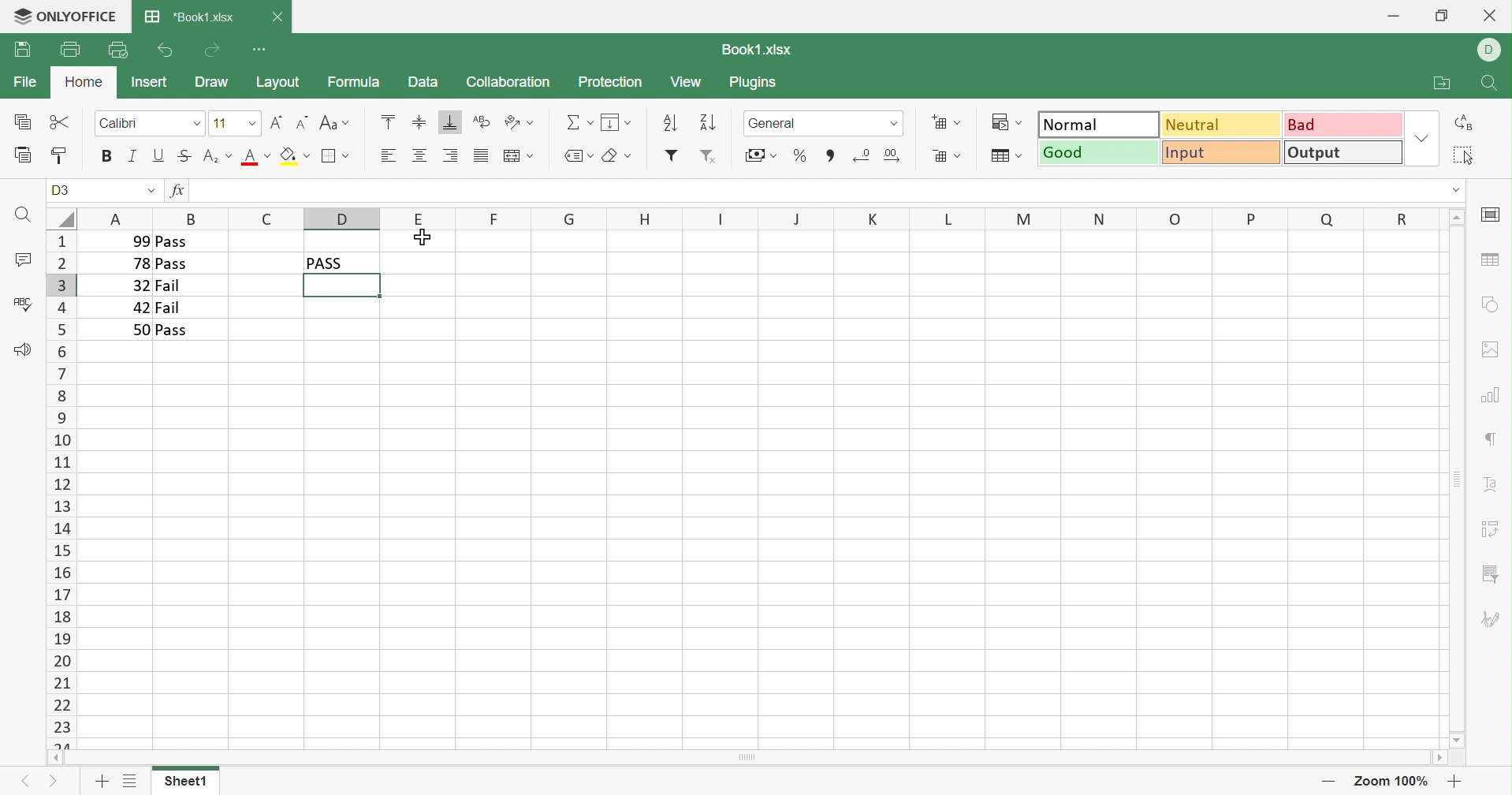 Image resolution: width=1512 pixels, height=795 pixels. Describe the element at coordinates (480, 122) in the screenshot. I see `Wrap text` at that location.